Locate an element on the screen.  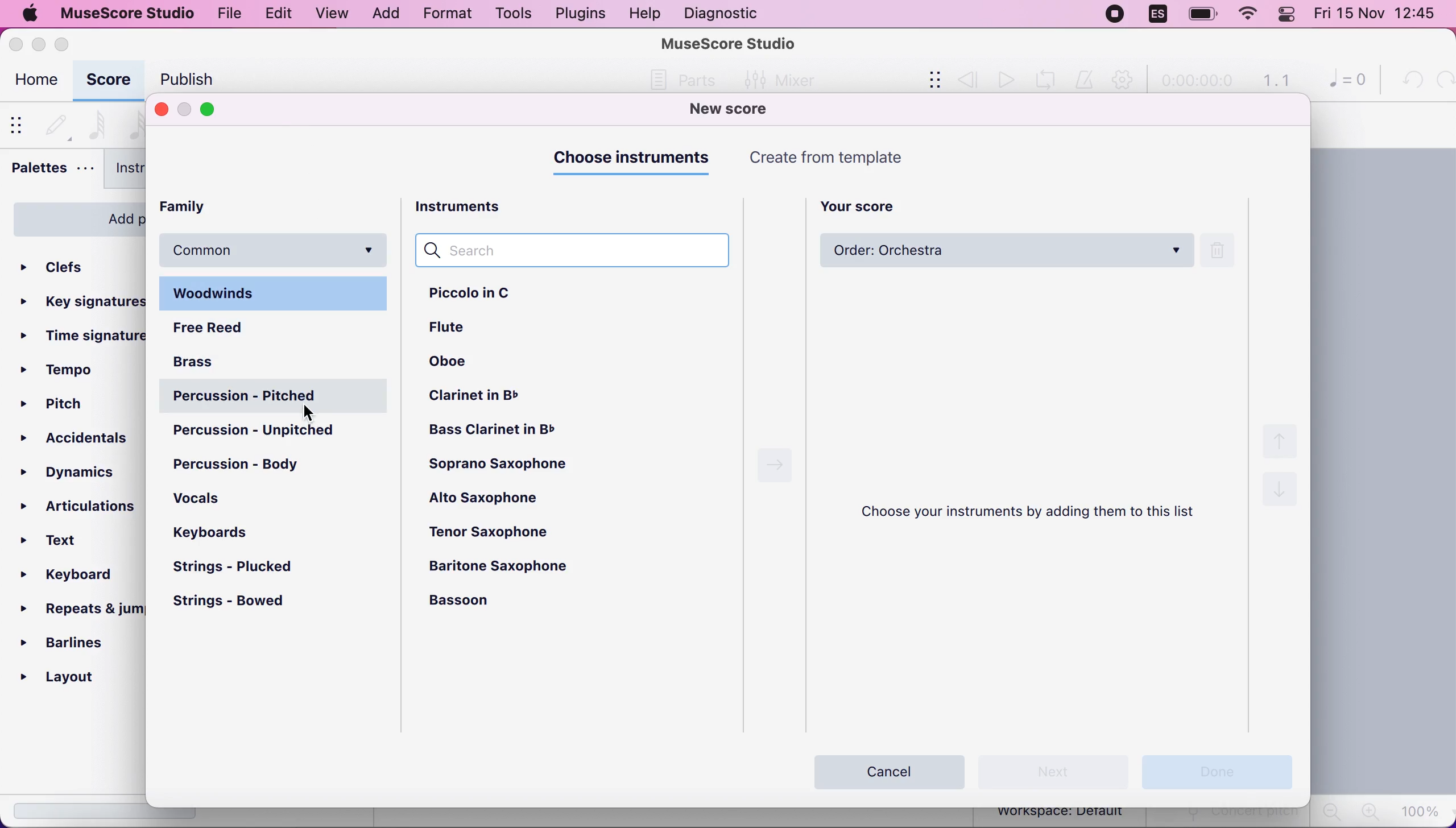
percussion - unpitched is located at coordinates (276, 431).